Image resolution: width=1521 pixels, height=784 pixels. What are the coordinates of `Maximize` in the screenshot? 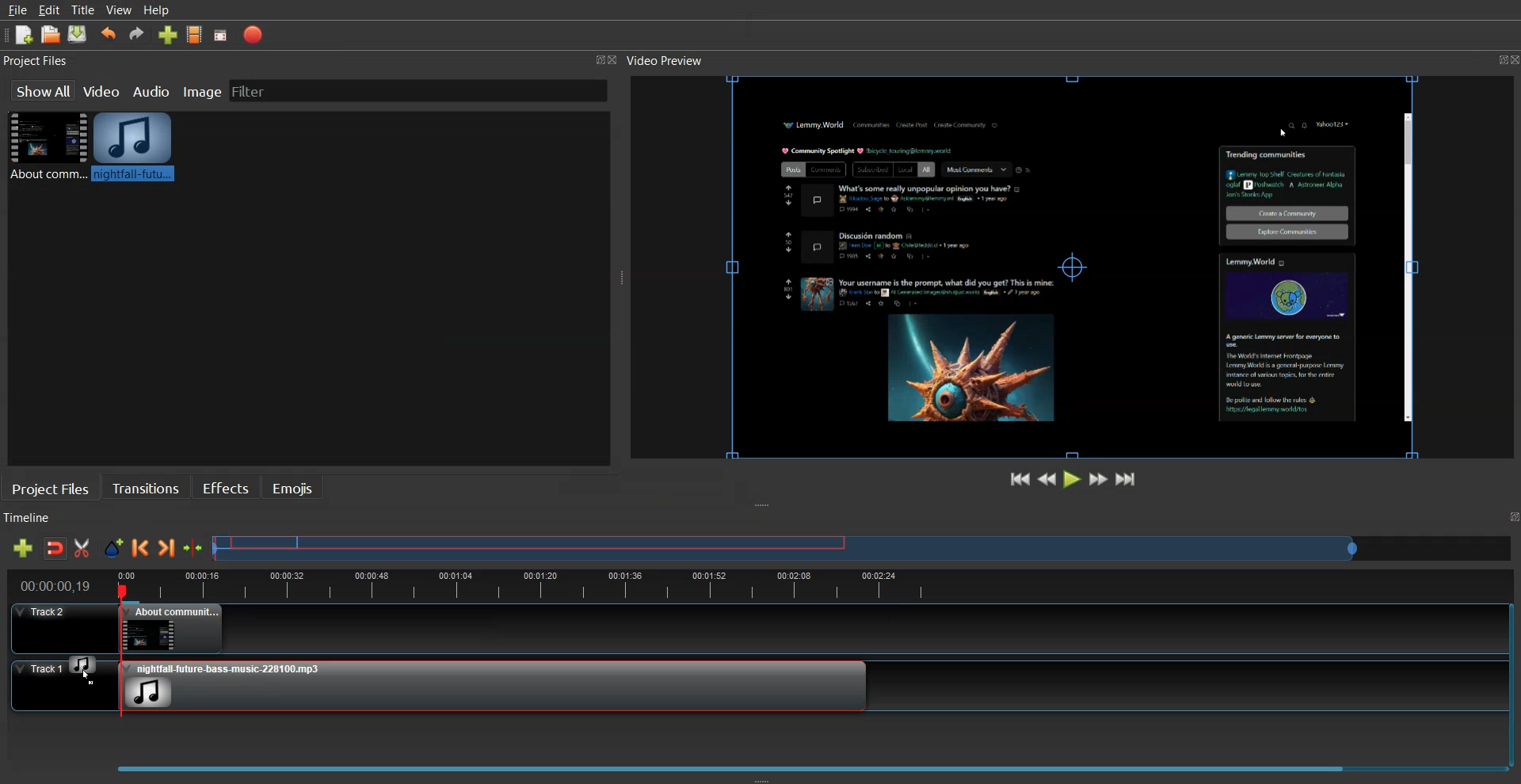 It's located at (1492, 57).